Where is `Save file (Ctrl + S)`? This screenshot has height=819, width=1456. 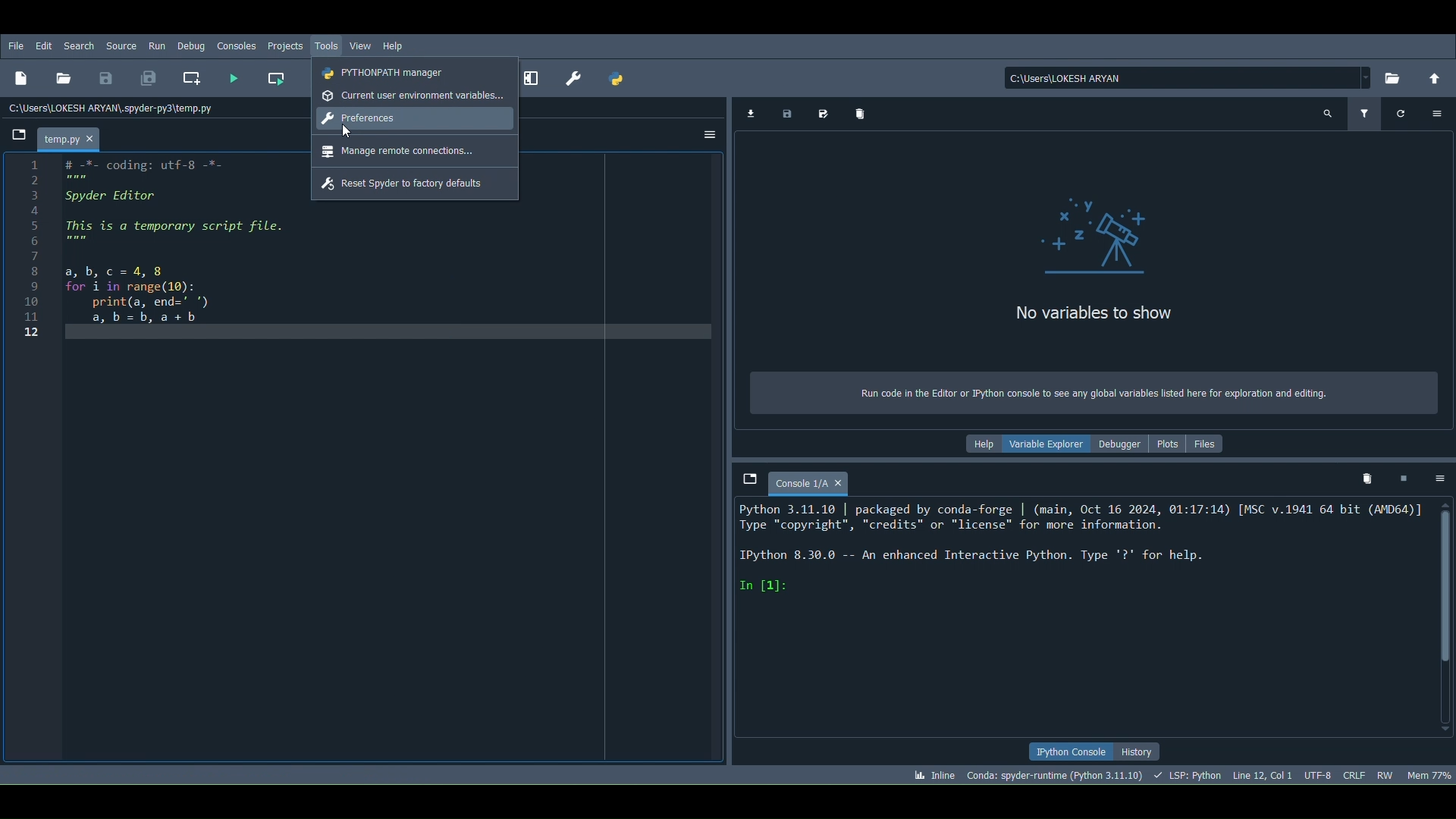
Save file (Ctrl + S) is located at coordinates (106, 78).